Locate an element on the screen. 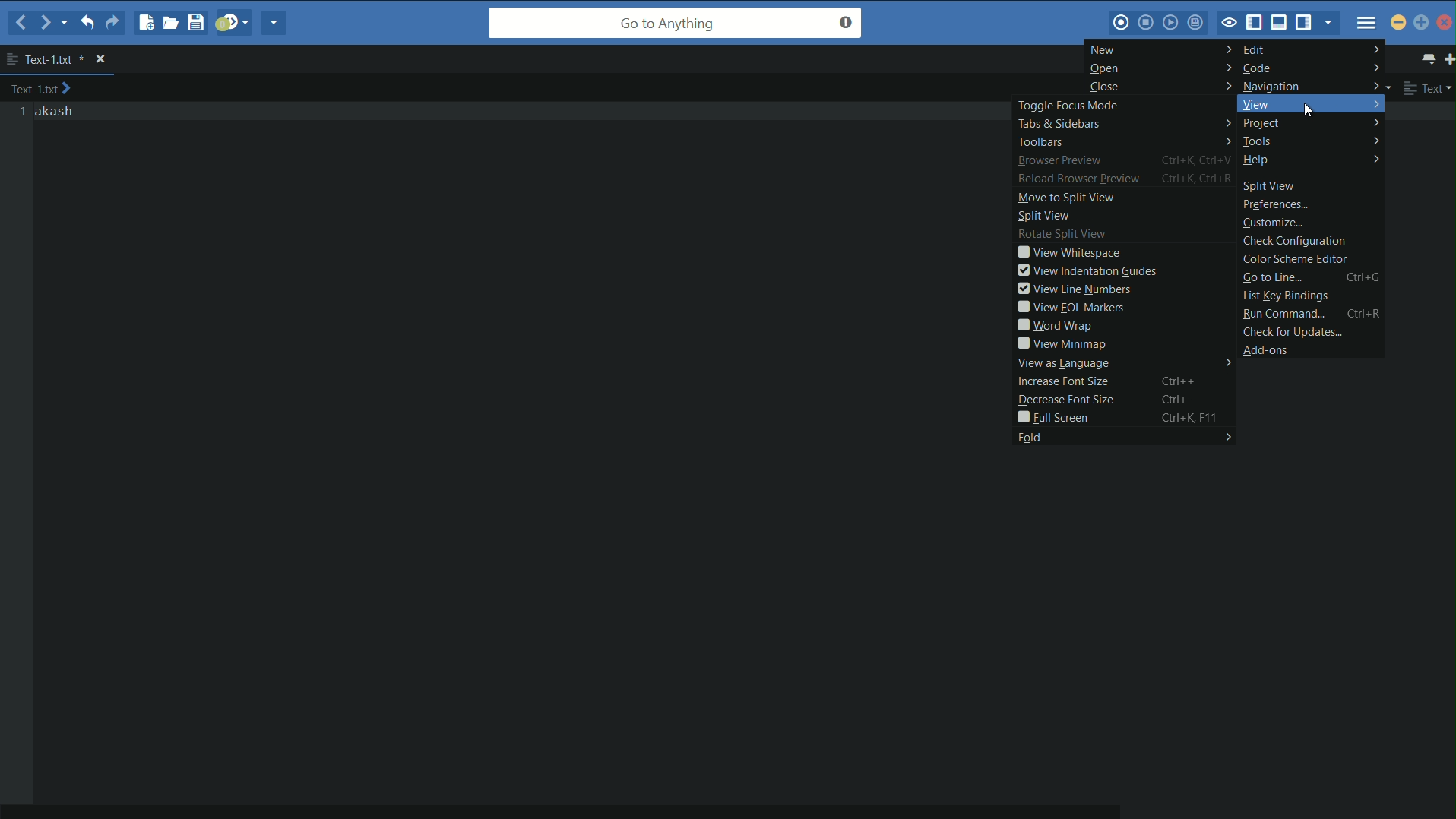  forward is located at coordinates (53, 23).